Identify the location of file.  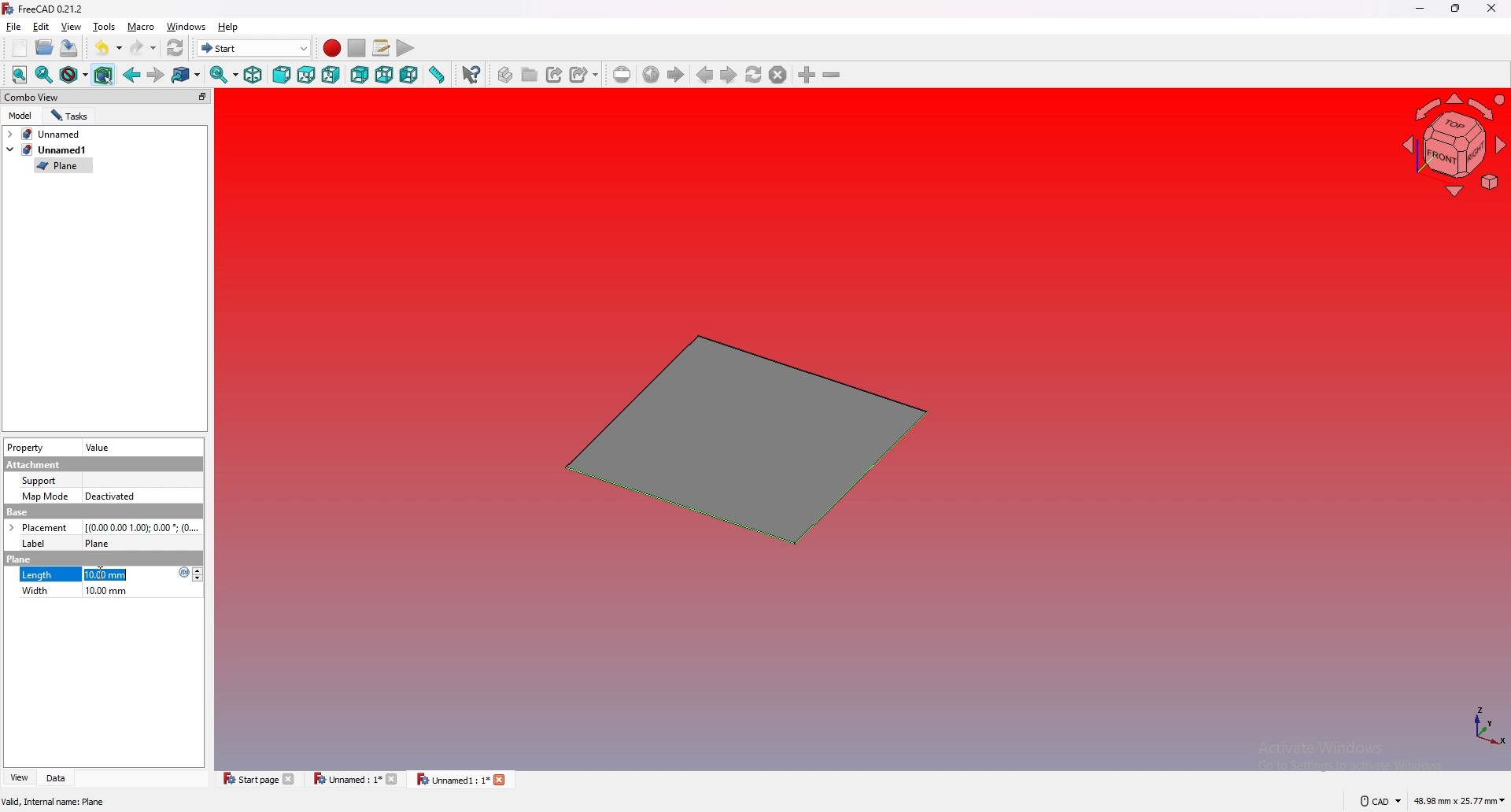
(14, 27).